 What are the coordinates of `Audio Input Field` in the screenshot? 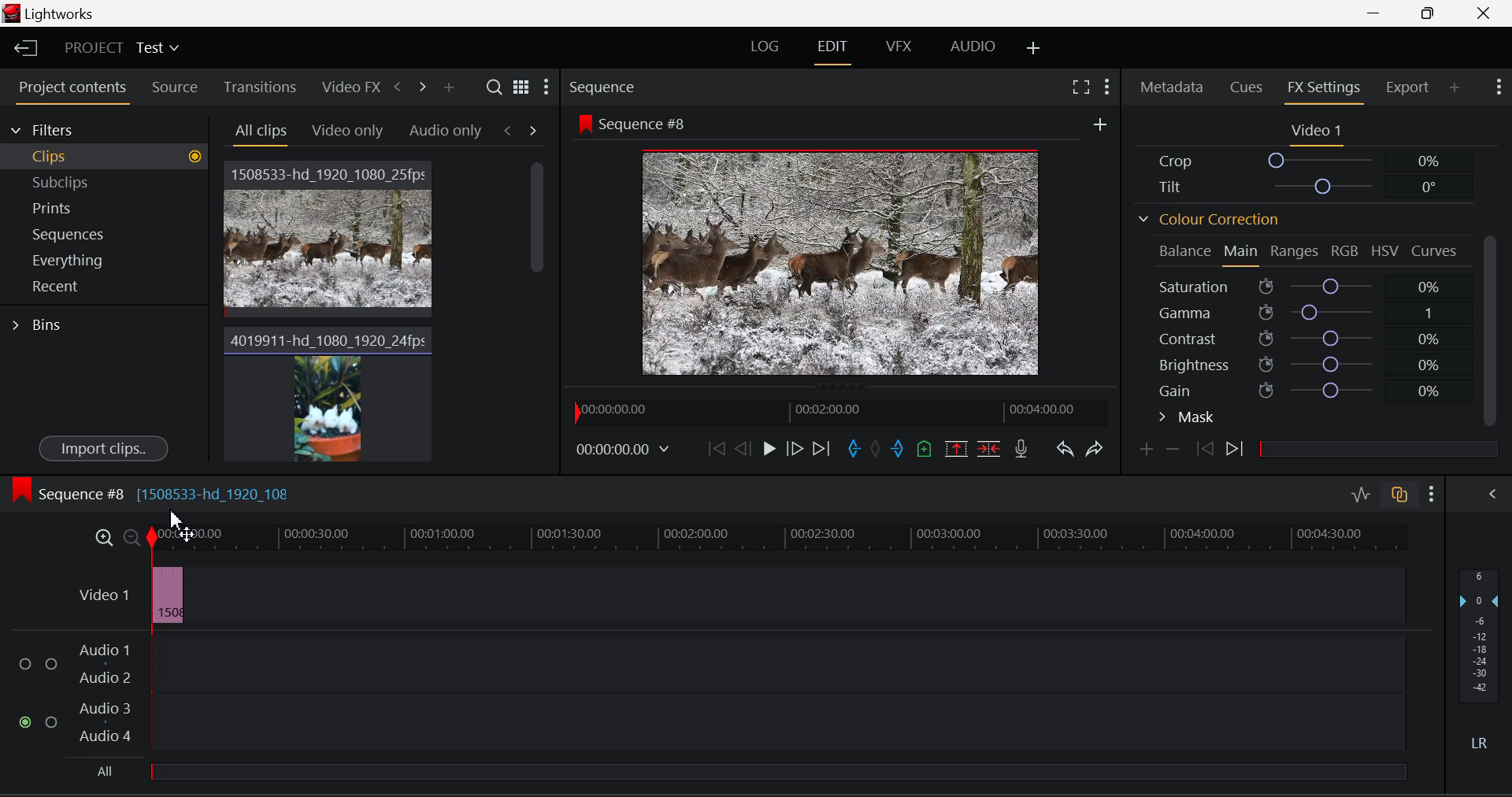 It's located at (776, 722).